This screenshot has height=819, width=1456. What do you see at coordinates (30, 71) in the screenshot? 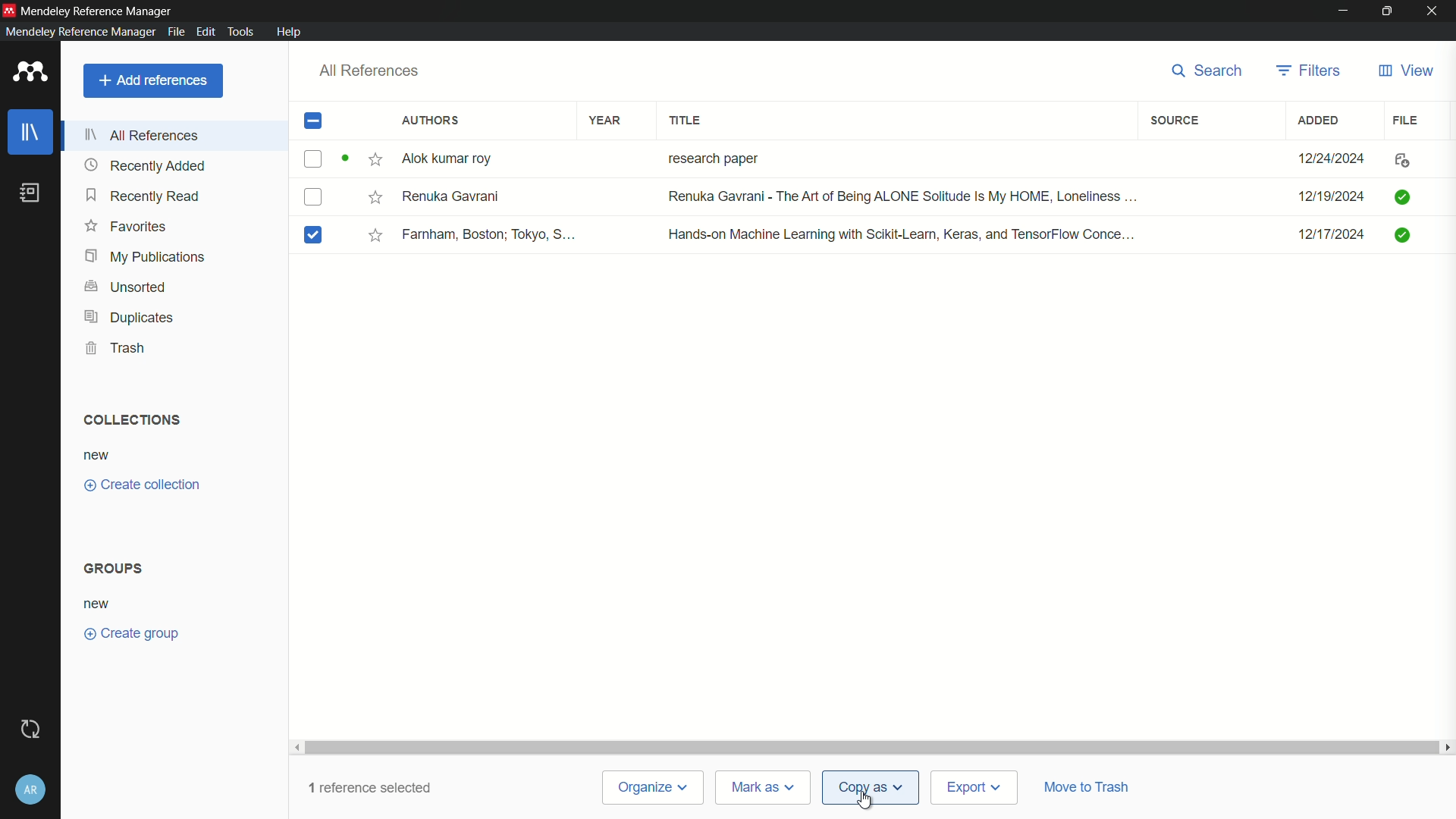
I see `app icon` at bounding box center [30, 71].